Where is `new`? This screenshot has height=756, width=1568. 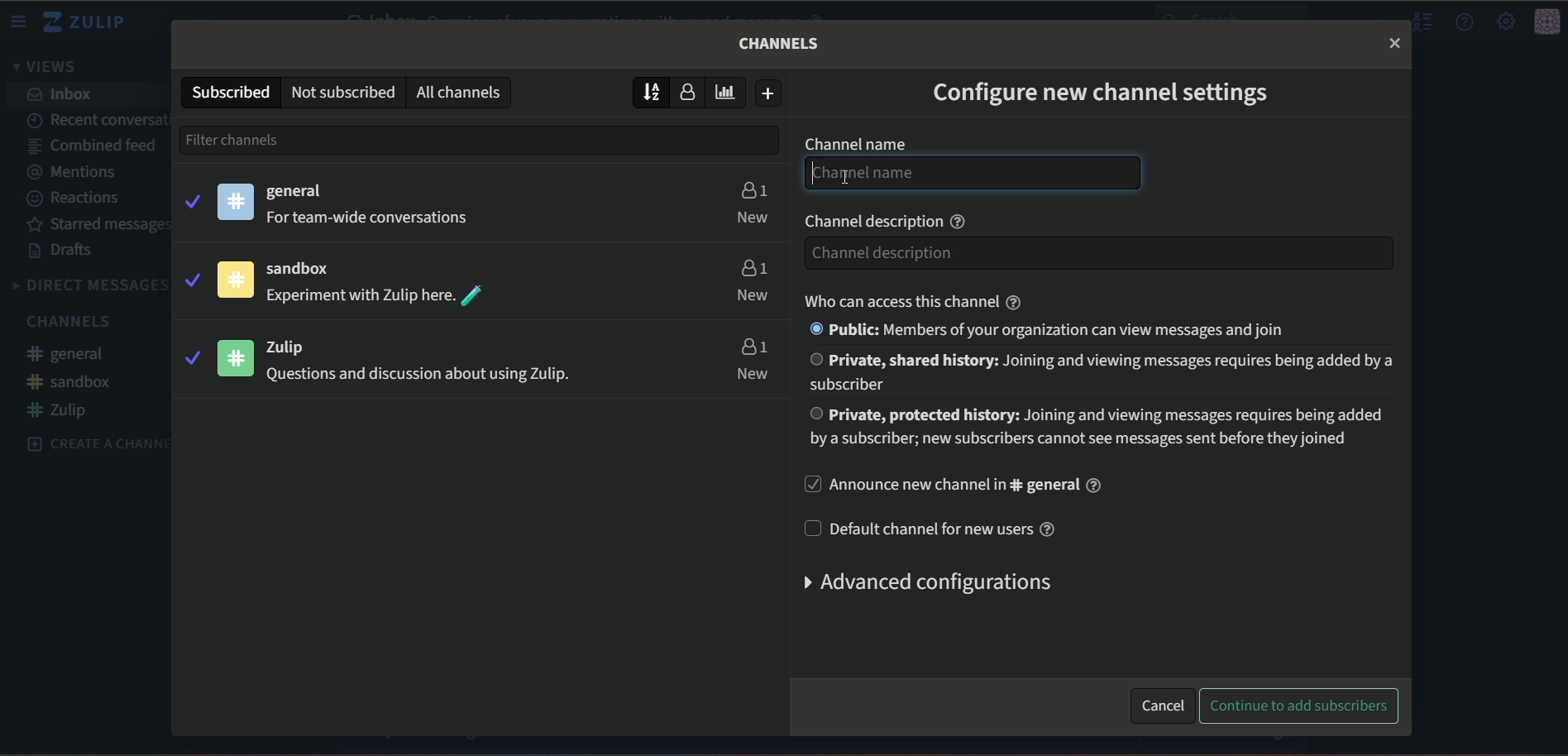 new is located at coordinates (754, 374).